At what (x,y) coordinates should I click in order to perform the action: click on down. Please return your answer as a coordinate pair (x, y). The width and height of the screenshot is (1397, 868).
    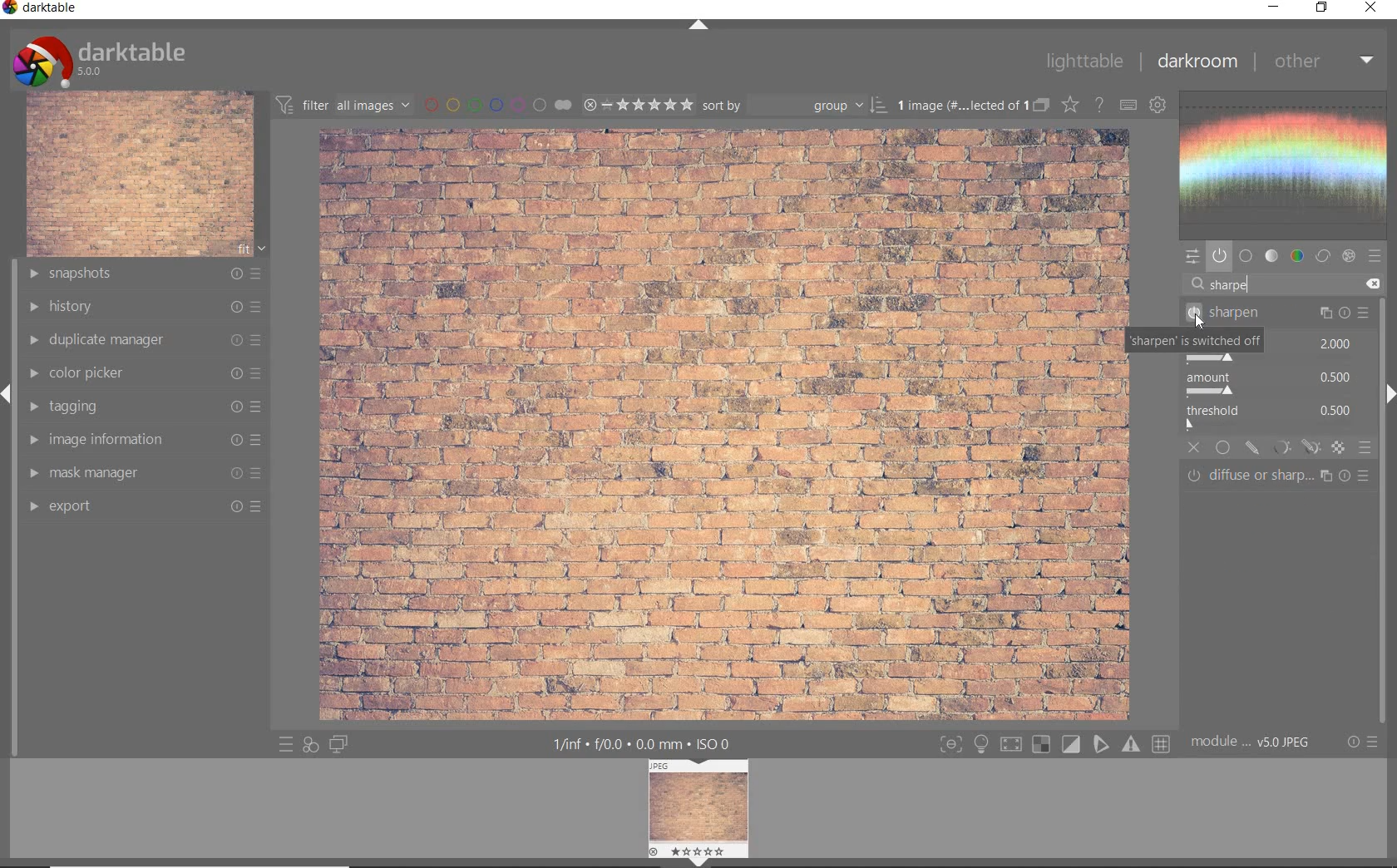
    Looking at the image, I should click on (698, 862).